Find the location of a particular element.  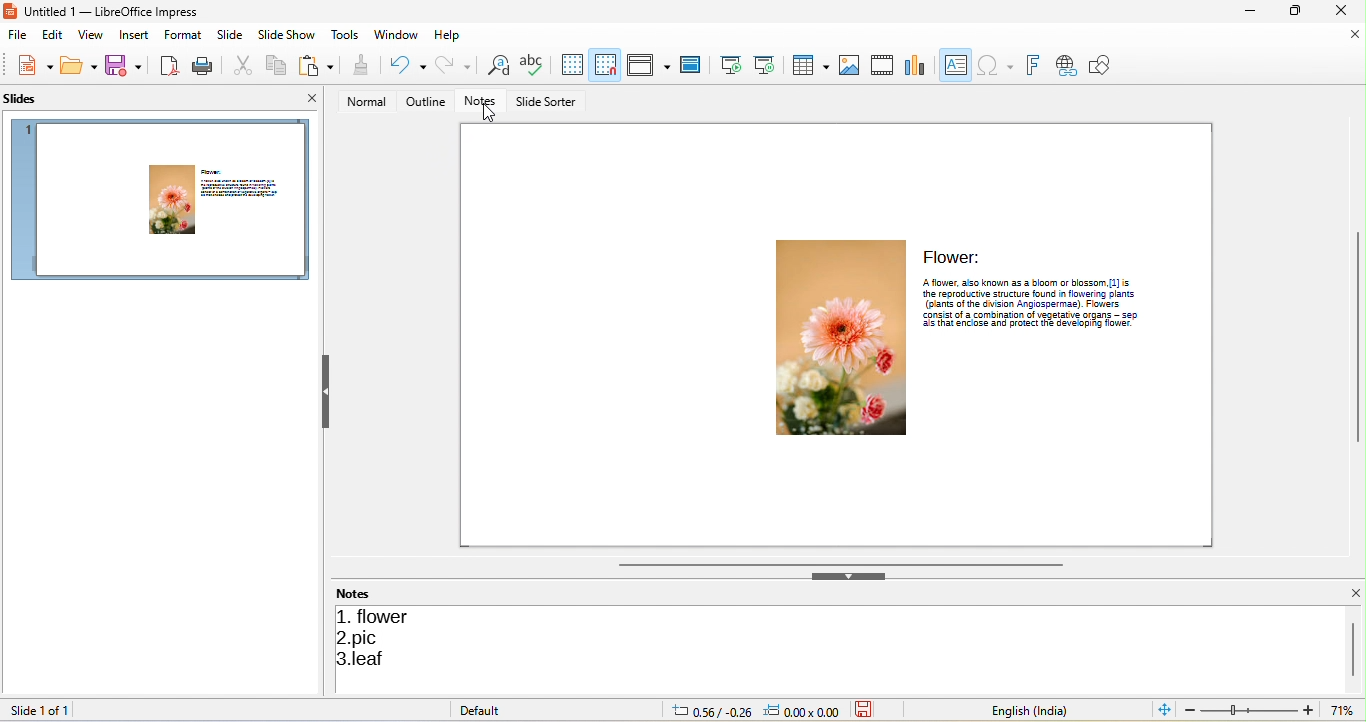

the document has not been modified since the last save is located at coordinates (868, 710).